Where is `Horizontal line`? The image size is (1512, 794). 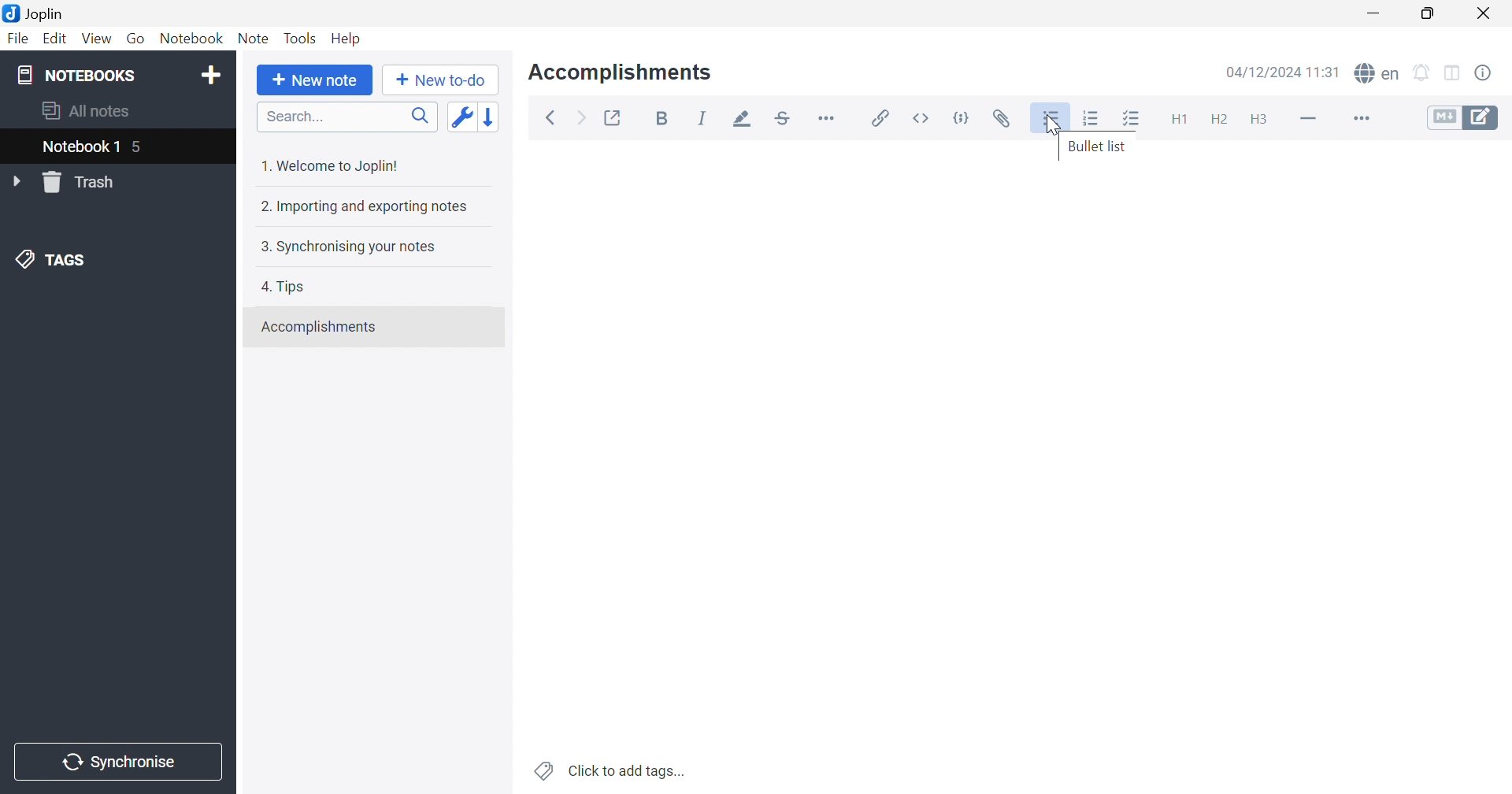
Horizontal line is located at coordinates (1311, 121).